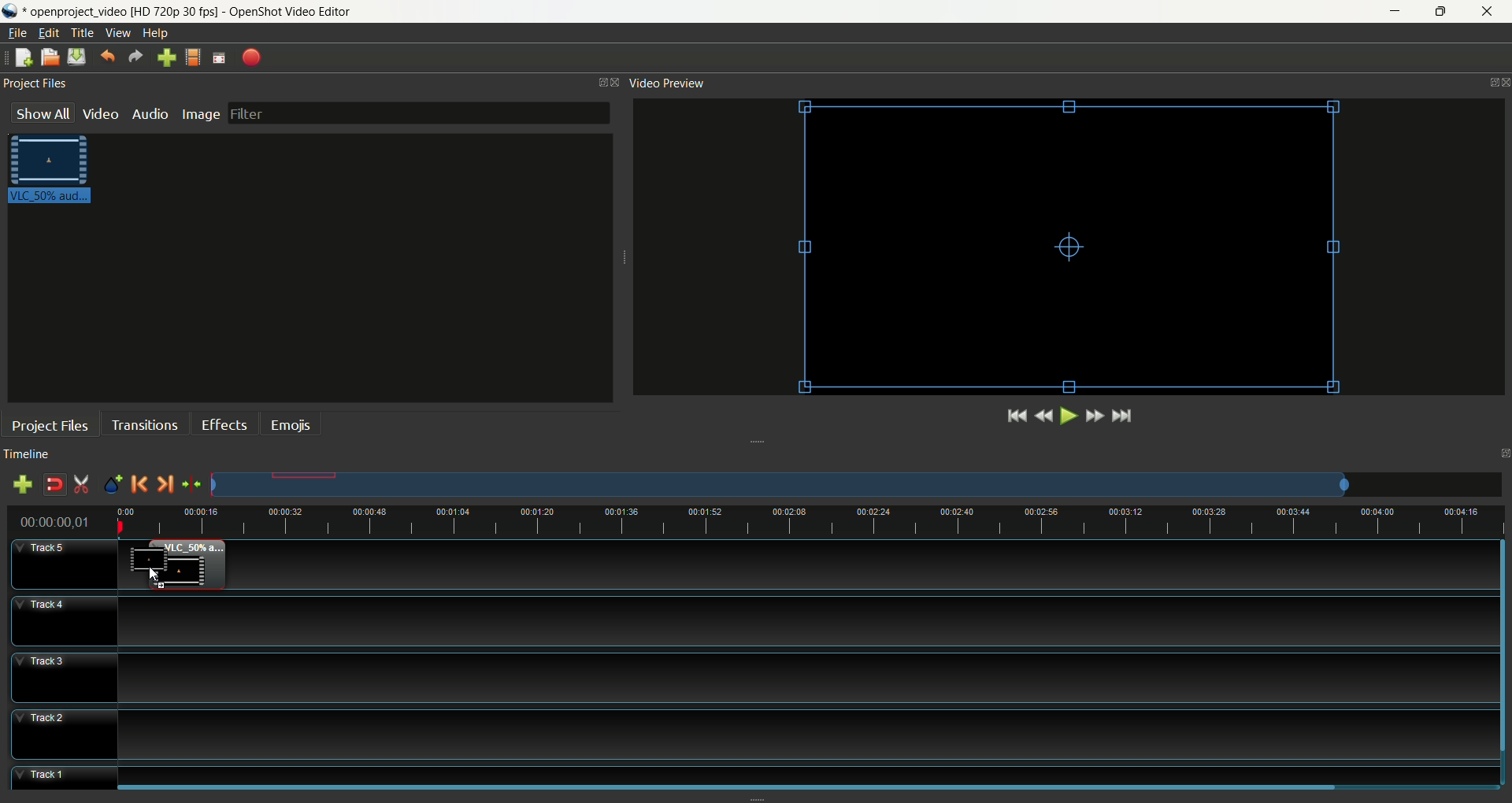  I want to click on timeline, so click(31, 453).